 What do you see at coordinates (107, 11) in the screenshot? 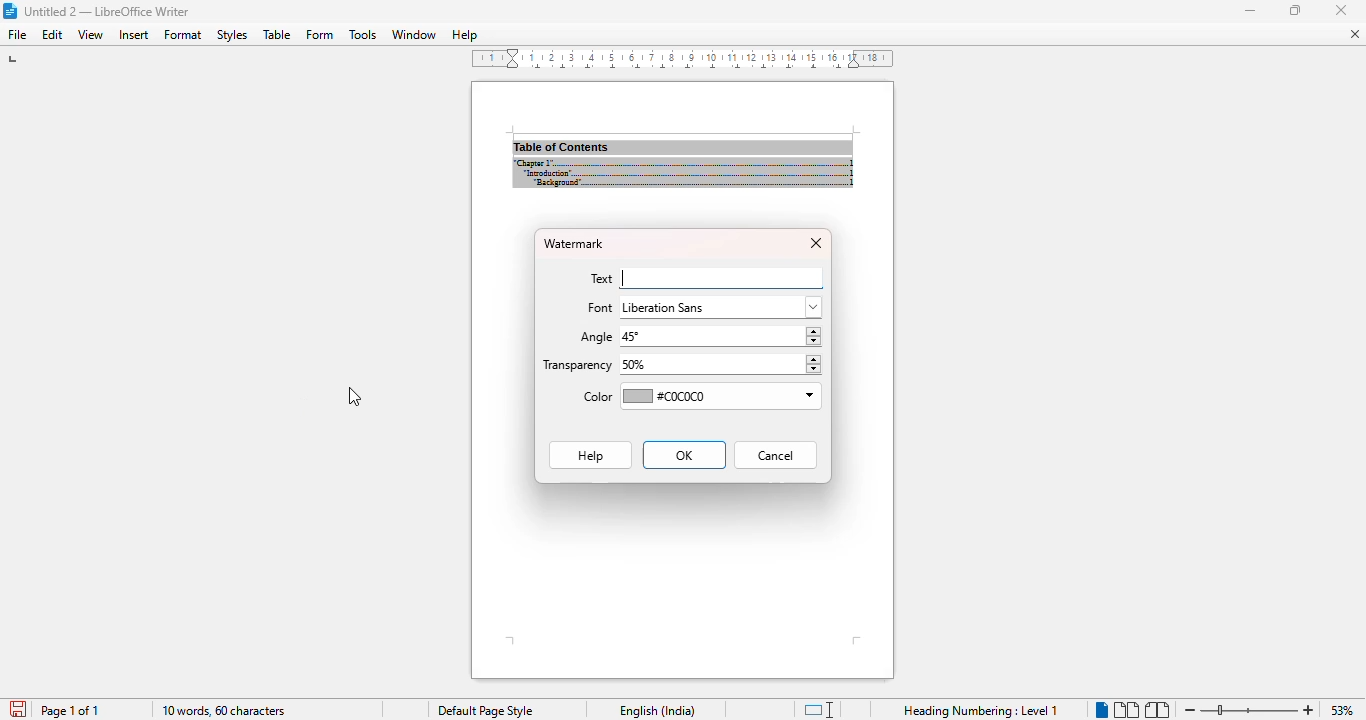
I see `title` at bounding box center [107, 11].